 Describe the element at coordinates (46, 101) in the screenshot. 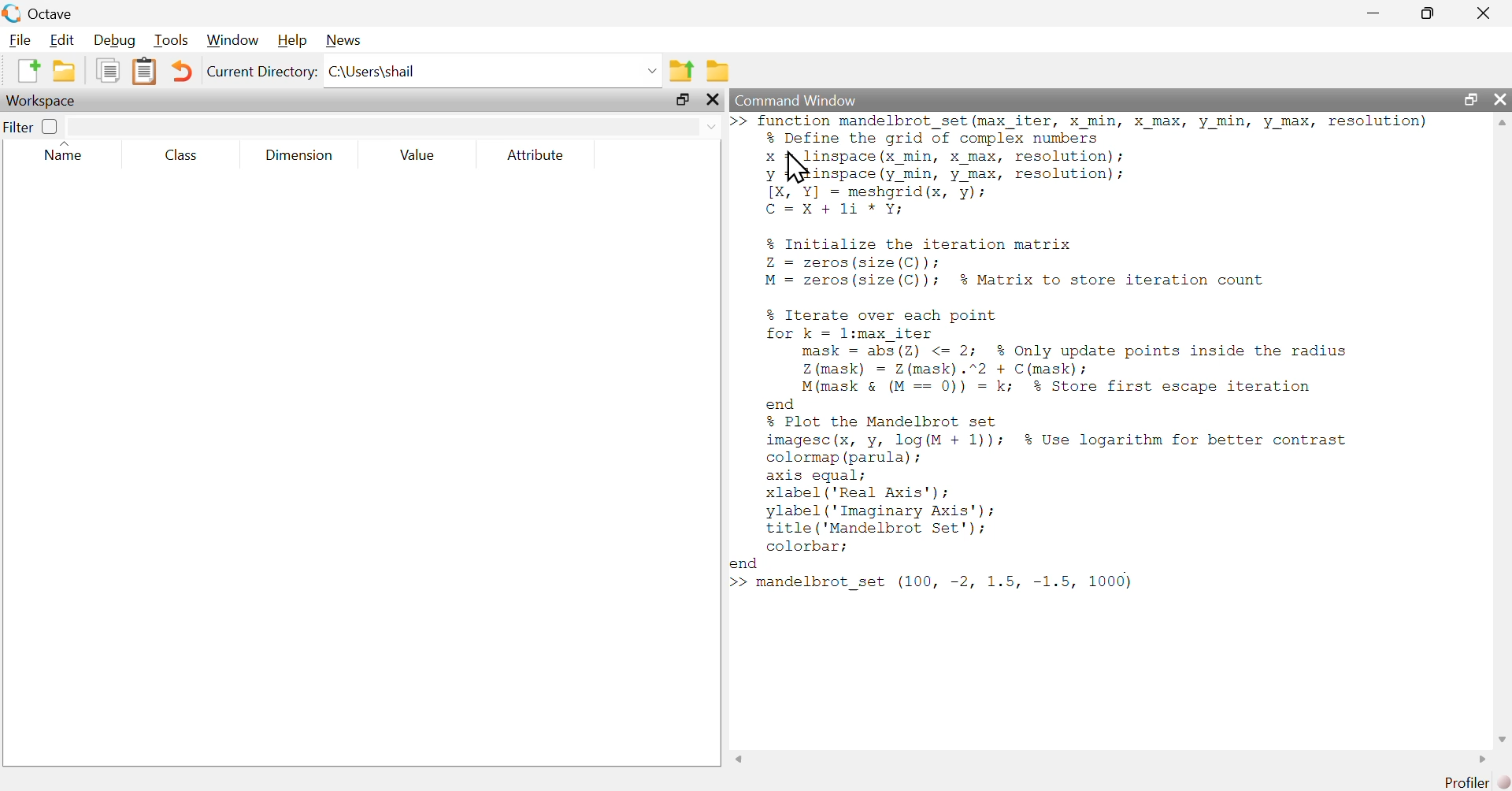

I see `Workspace` at that location.